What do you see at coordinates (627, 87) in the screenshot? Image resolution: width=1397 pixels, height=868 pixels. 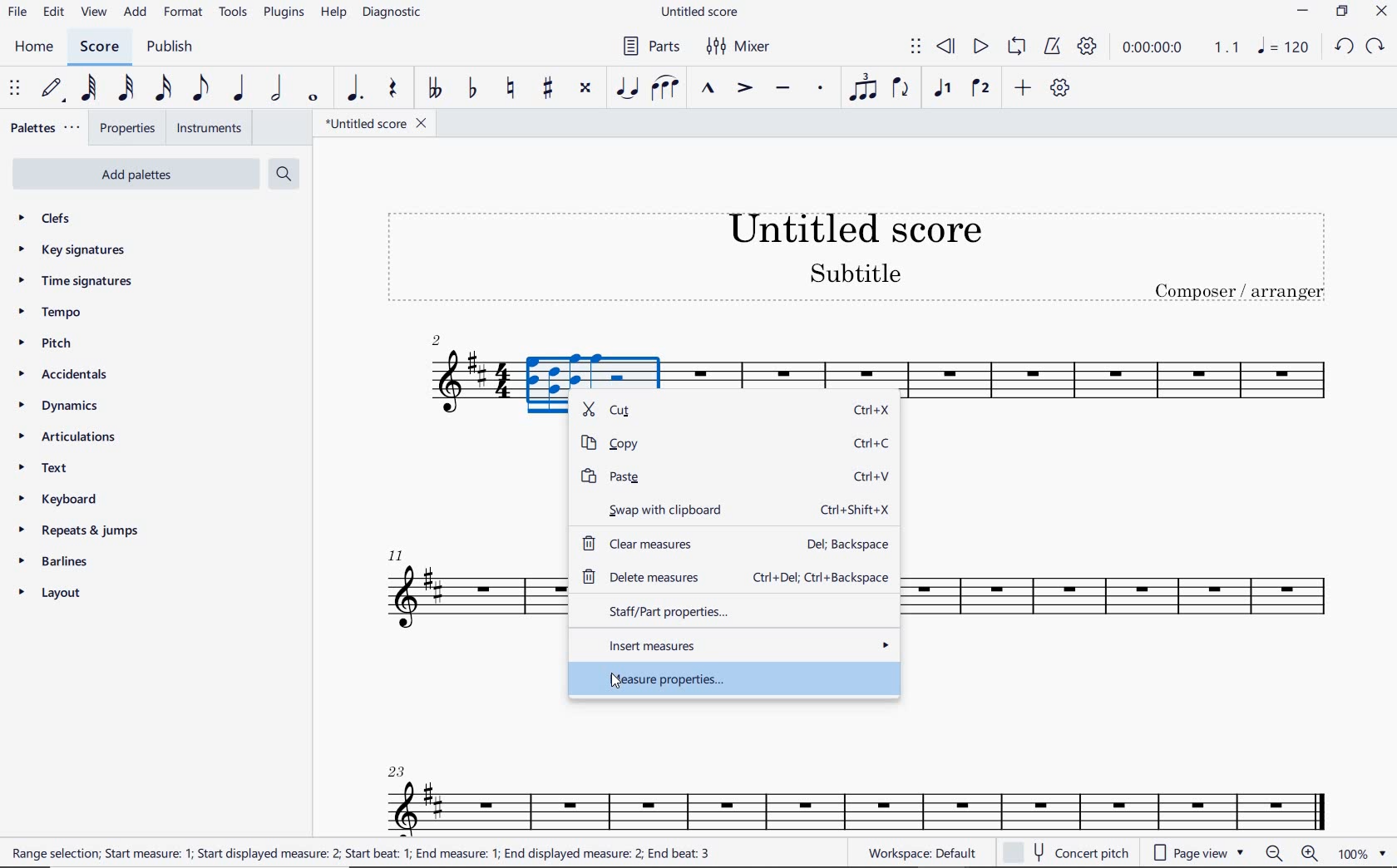 I see `TIE` at bounding box center [627, 87].